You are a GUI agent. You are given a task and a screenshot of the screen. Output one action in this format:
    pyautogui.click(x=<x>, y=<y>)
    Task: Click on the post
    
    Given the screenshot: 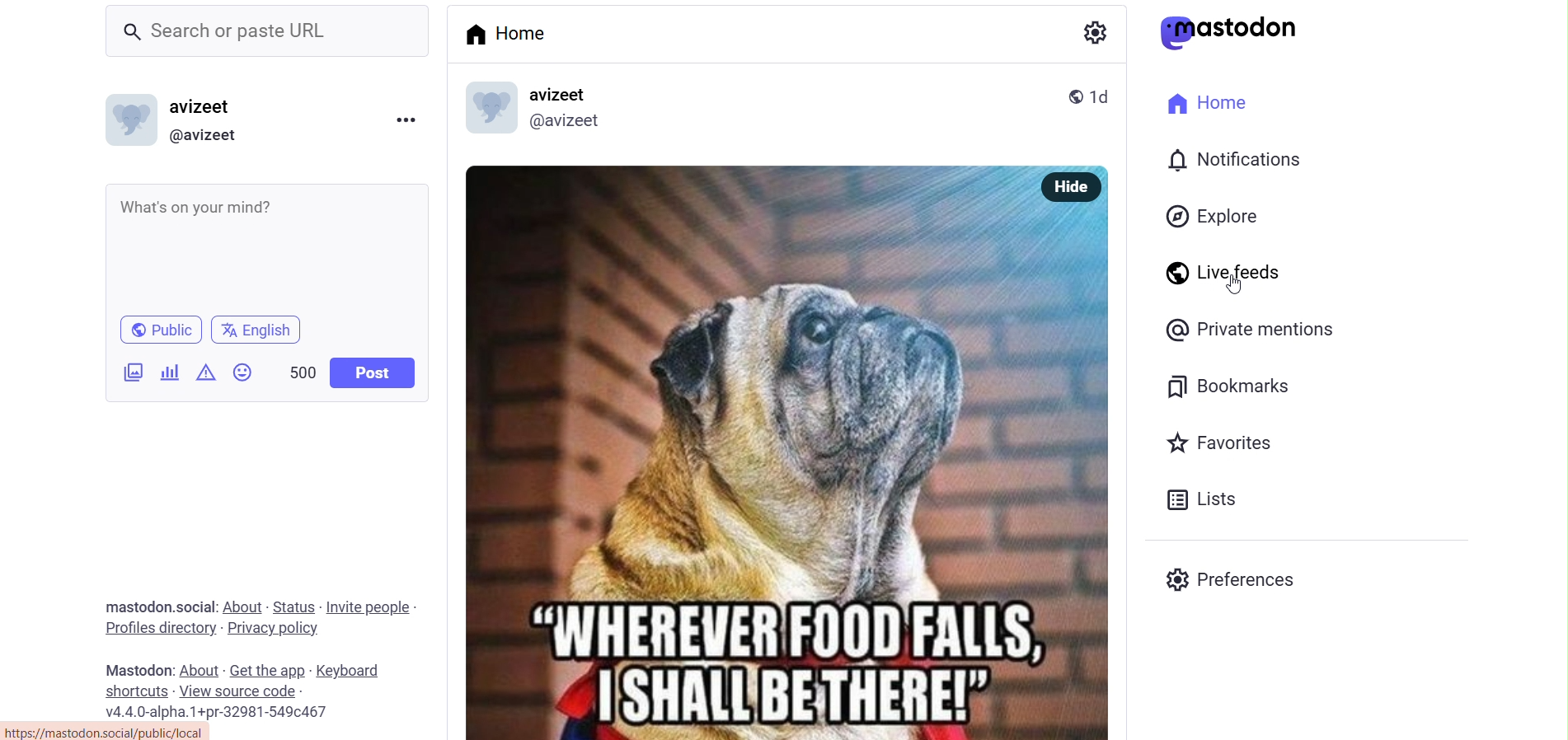 What is the action you would take?
    pyautogui.click(x=753, y=451)
    